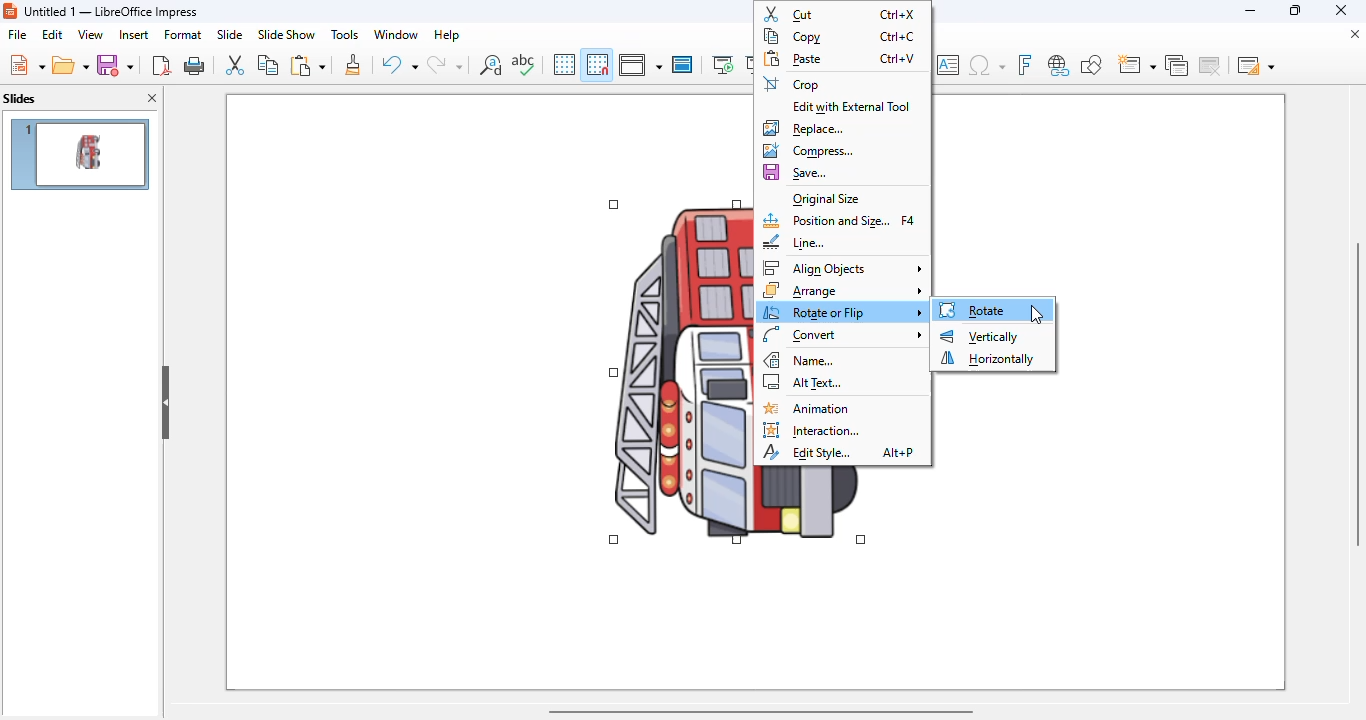 Image resolution: width=1366 pixels, height=720 pixels. Describe the element at coordinates (268, 65) in the screenshot. I see `copy` at that location.